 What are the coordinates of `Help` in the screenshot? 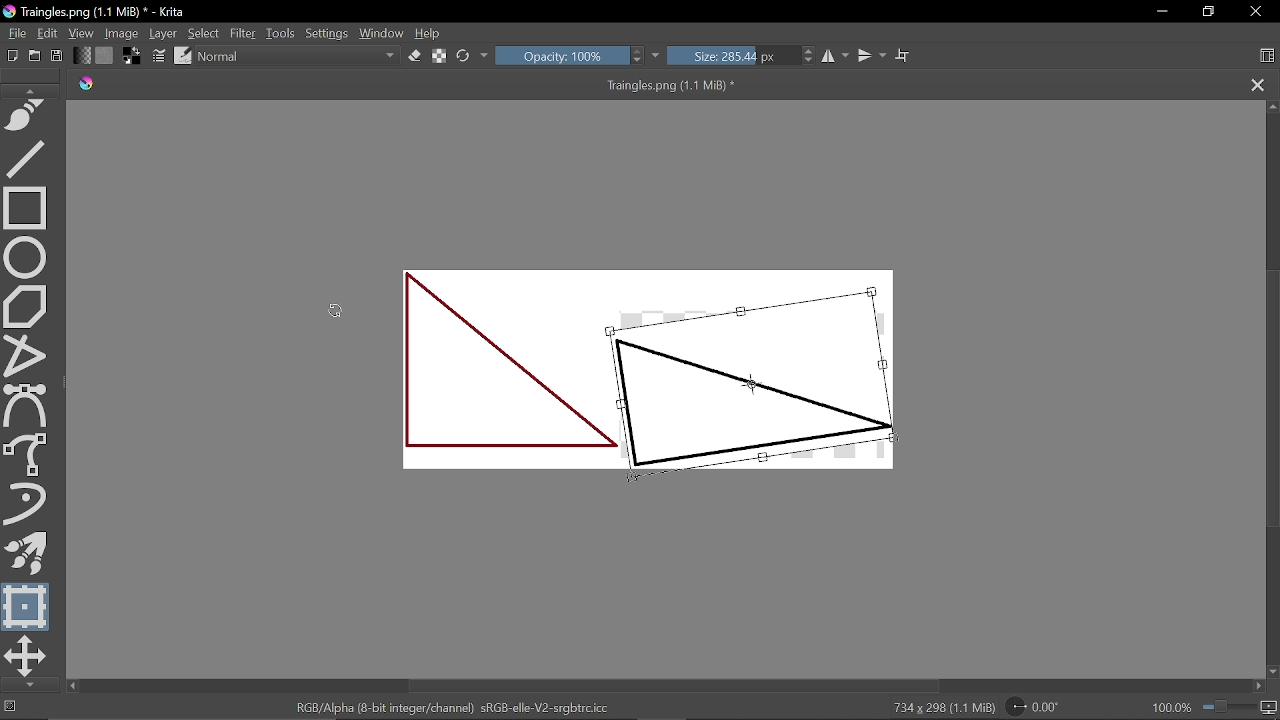 It's located at (428, 34).